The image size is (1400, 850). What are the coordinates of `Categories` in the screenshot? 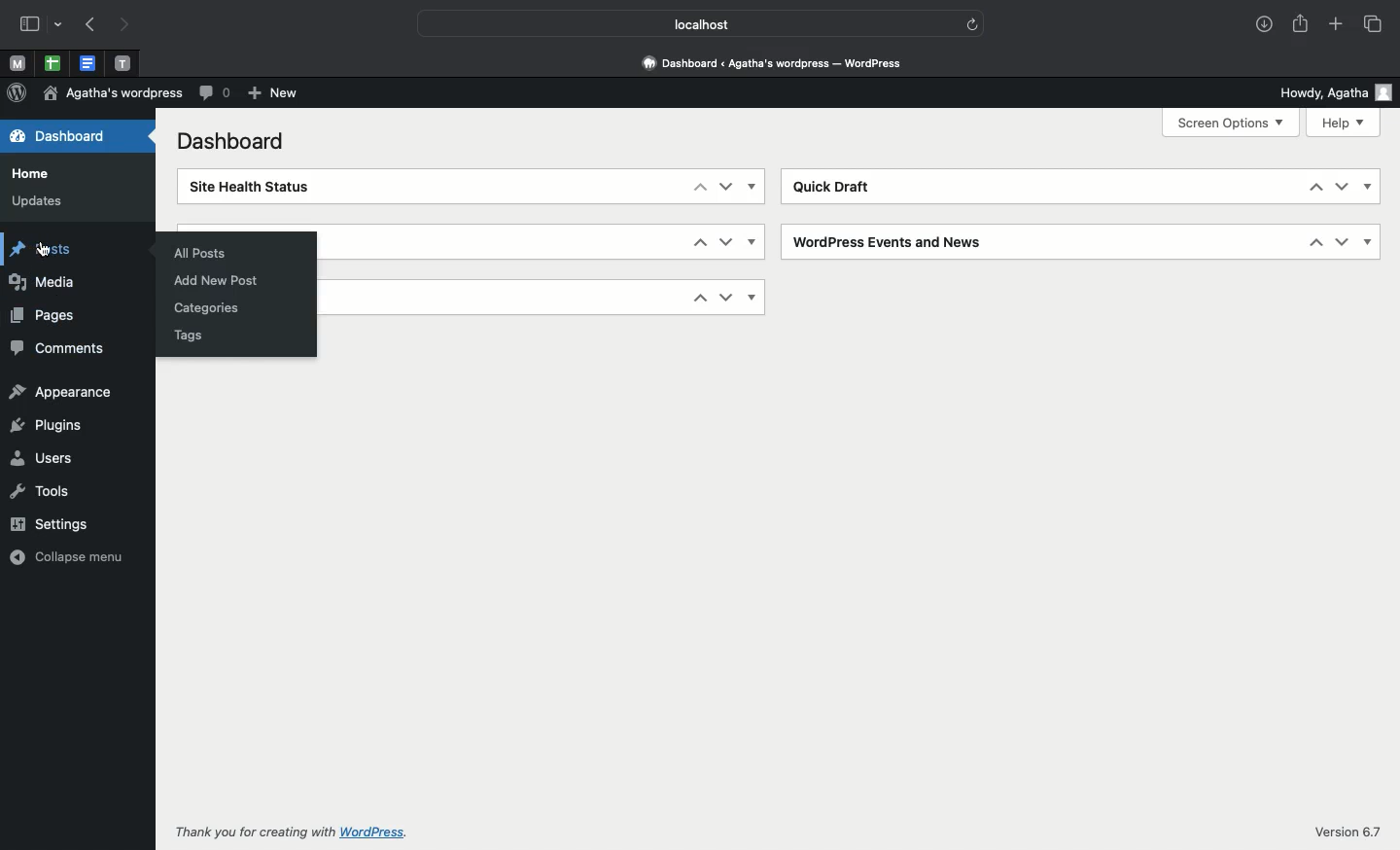 It's located at (208, 309).